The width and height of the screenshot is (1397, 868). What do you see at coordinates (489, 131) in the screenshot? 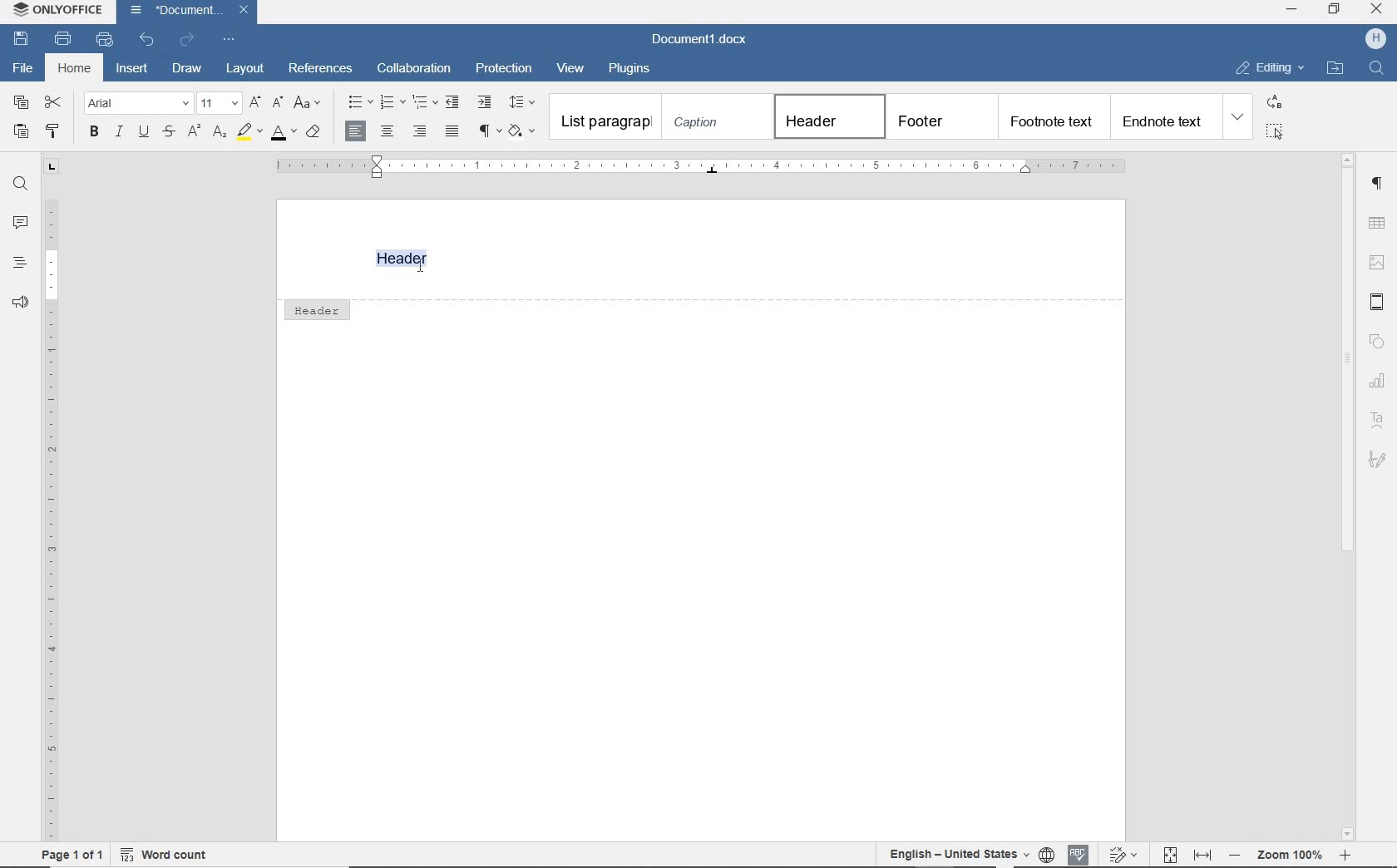
I see `nonprinting characters` at bounding box center [489, 131].